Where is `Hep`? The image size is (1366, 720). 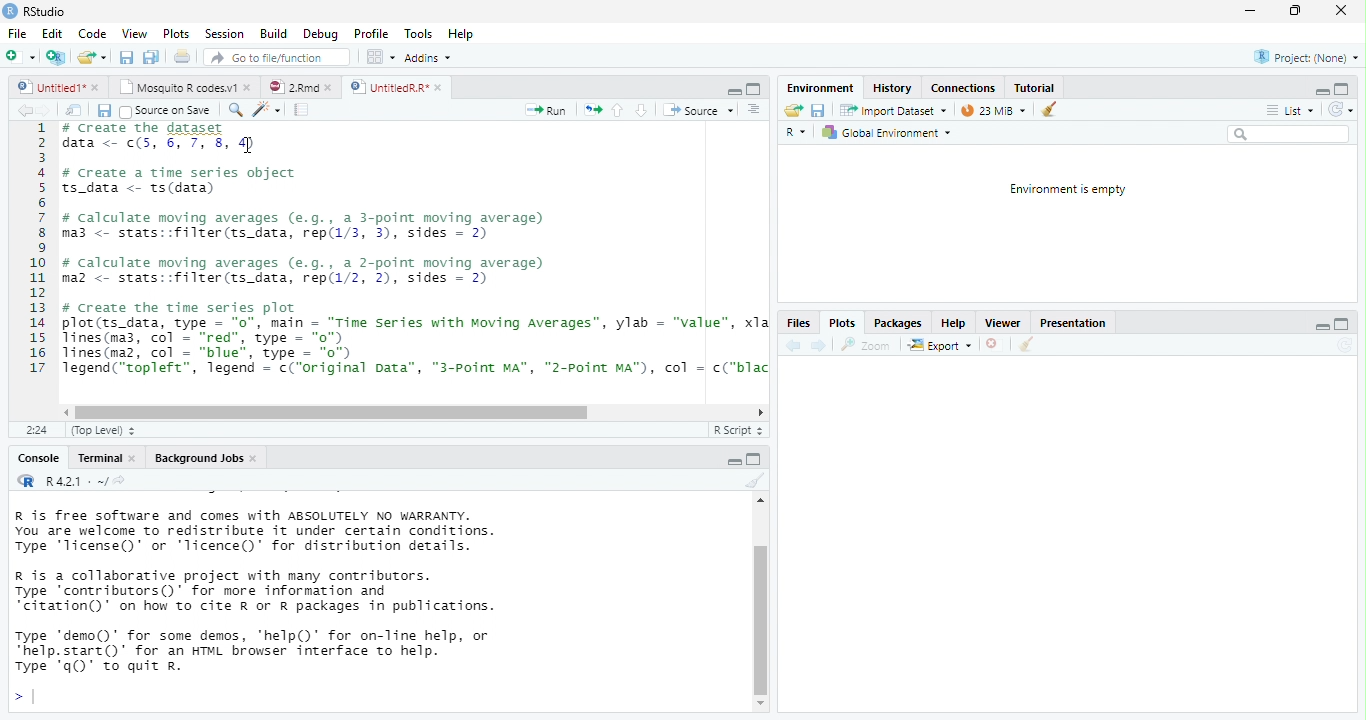
Hep is located at coordinates (460, 34).